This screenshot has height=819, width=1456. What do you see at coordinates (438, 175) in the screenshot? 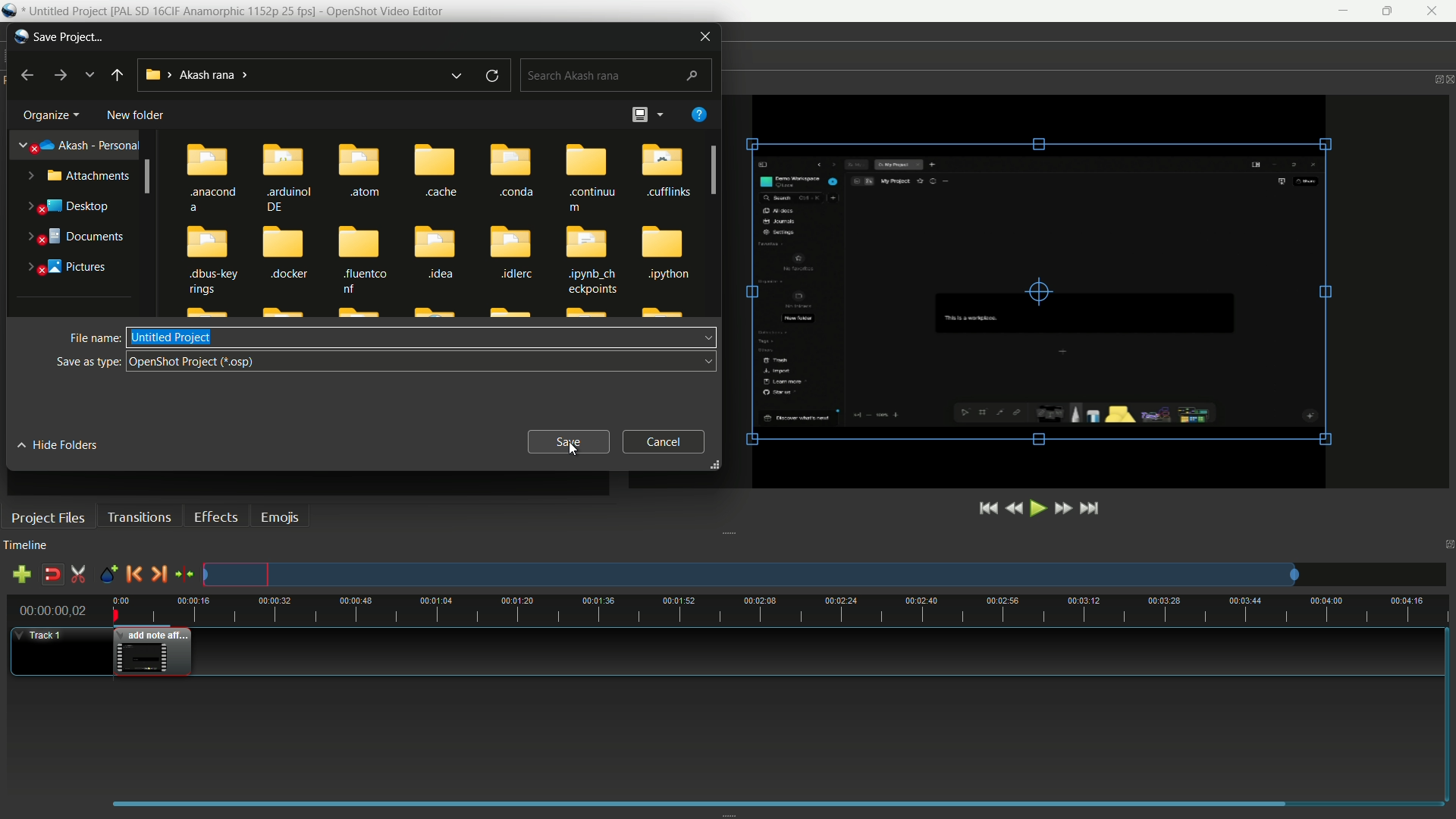
I see `cache` at bounding box center [438, 175].